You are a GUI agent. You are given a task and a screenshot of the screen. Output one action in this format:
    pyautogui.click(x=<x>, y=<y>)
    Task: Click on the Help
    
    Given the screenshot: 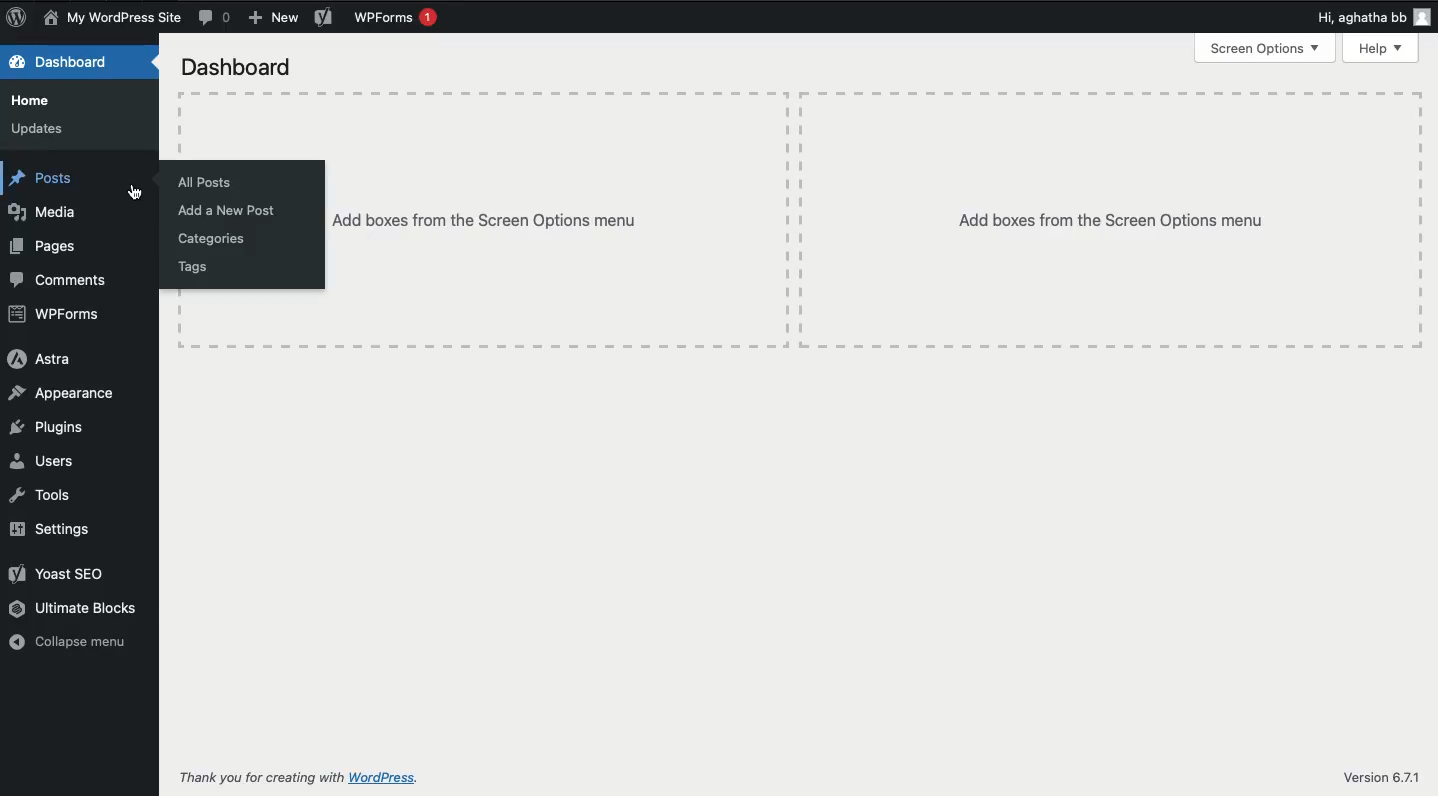 What is the action you would take?
    pyautogui.click(x=1380, y=50)
    